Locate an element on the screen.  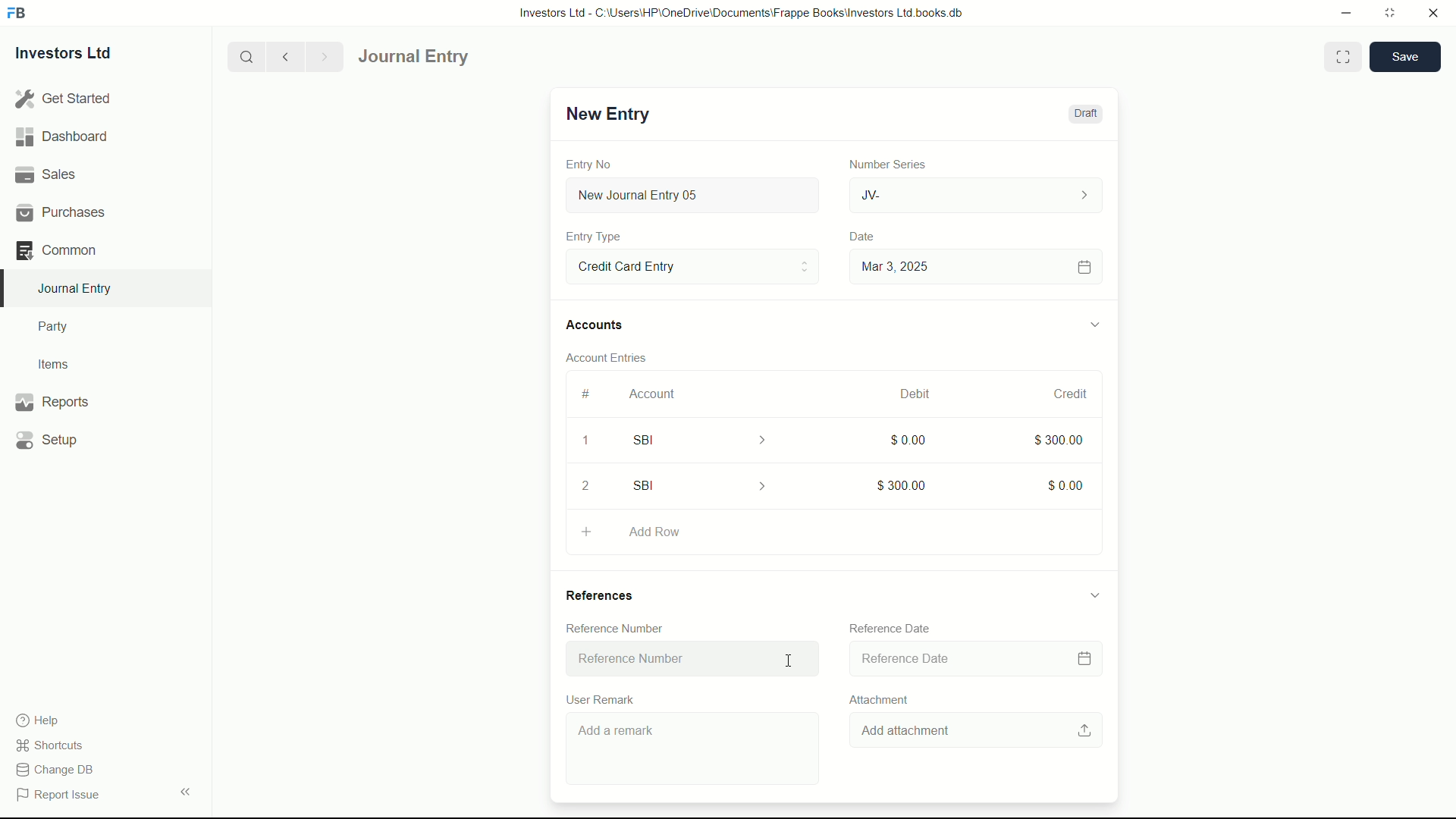
maximize is located at coordinates (1389, 11).